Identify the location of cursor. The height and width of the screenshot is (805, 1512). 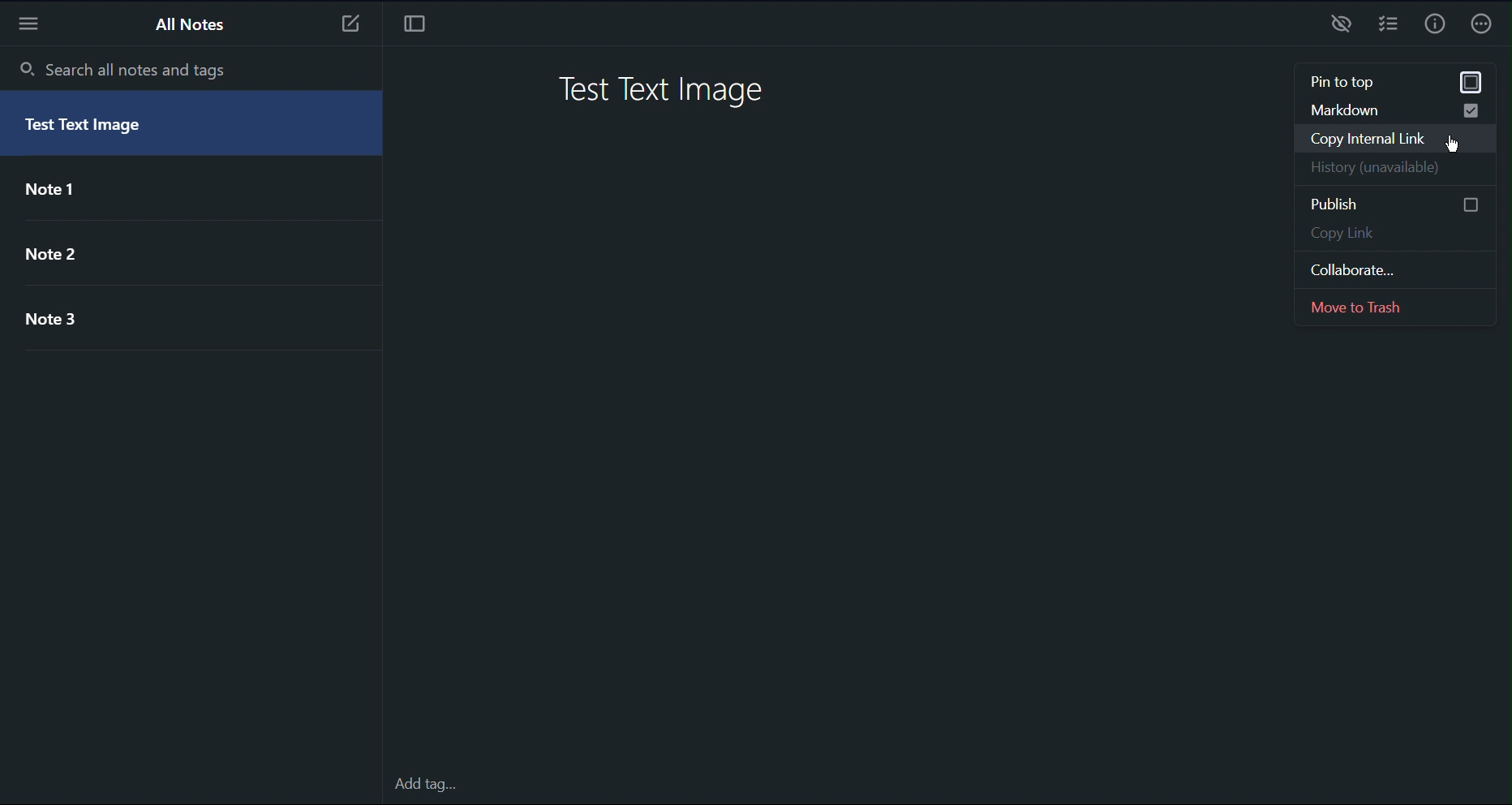
(1452, 147).